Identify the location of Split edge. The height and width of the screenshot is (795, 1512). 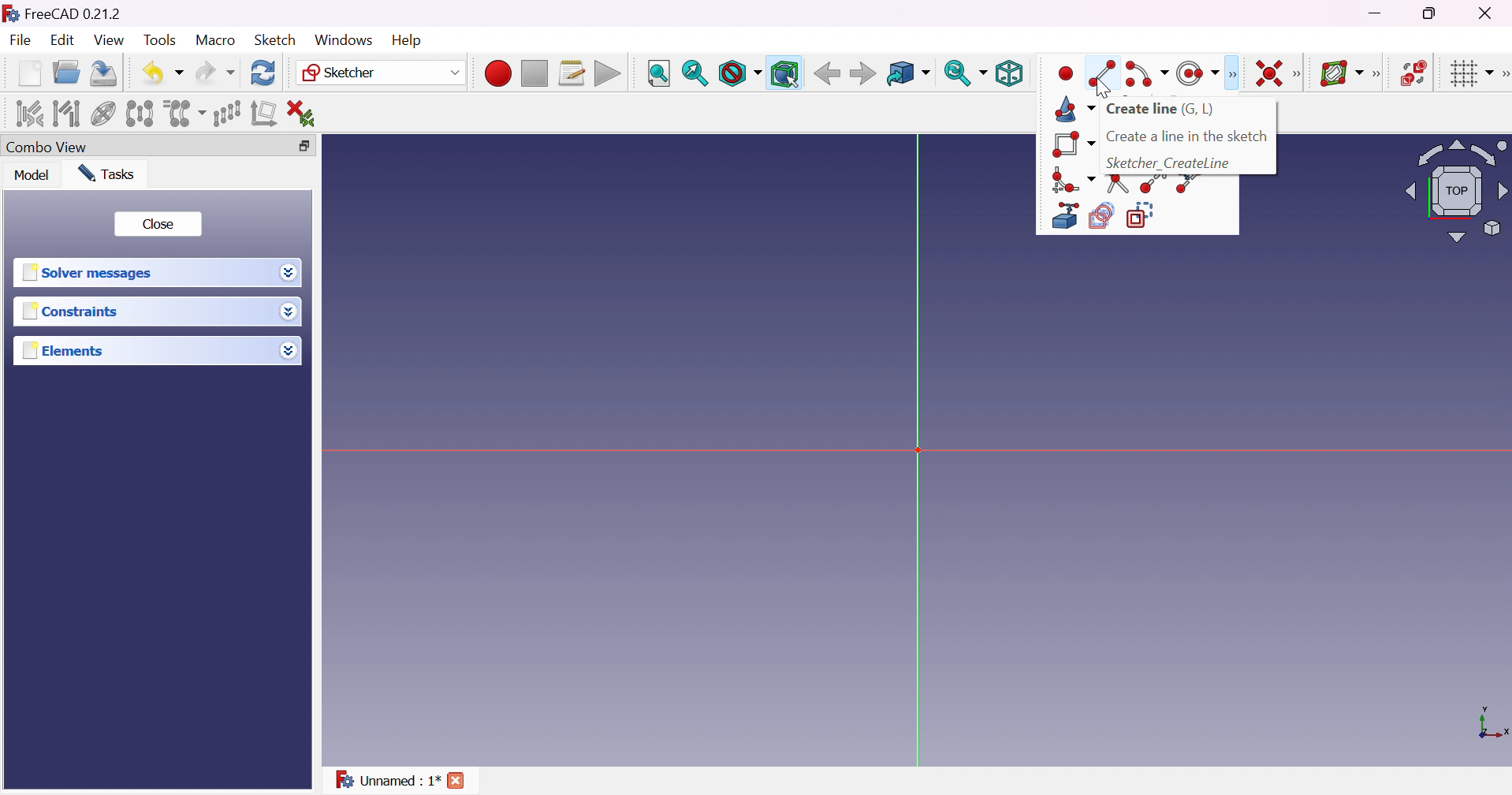
(1188, 185).